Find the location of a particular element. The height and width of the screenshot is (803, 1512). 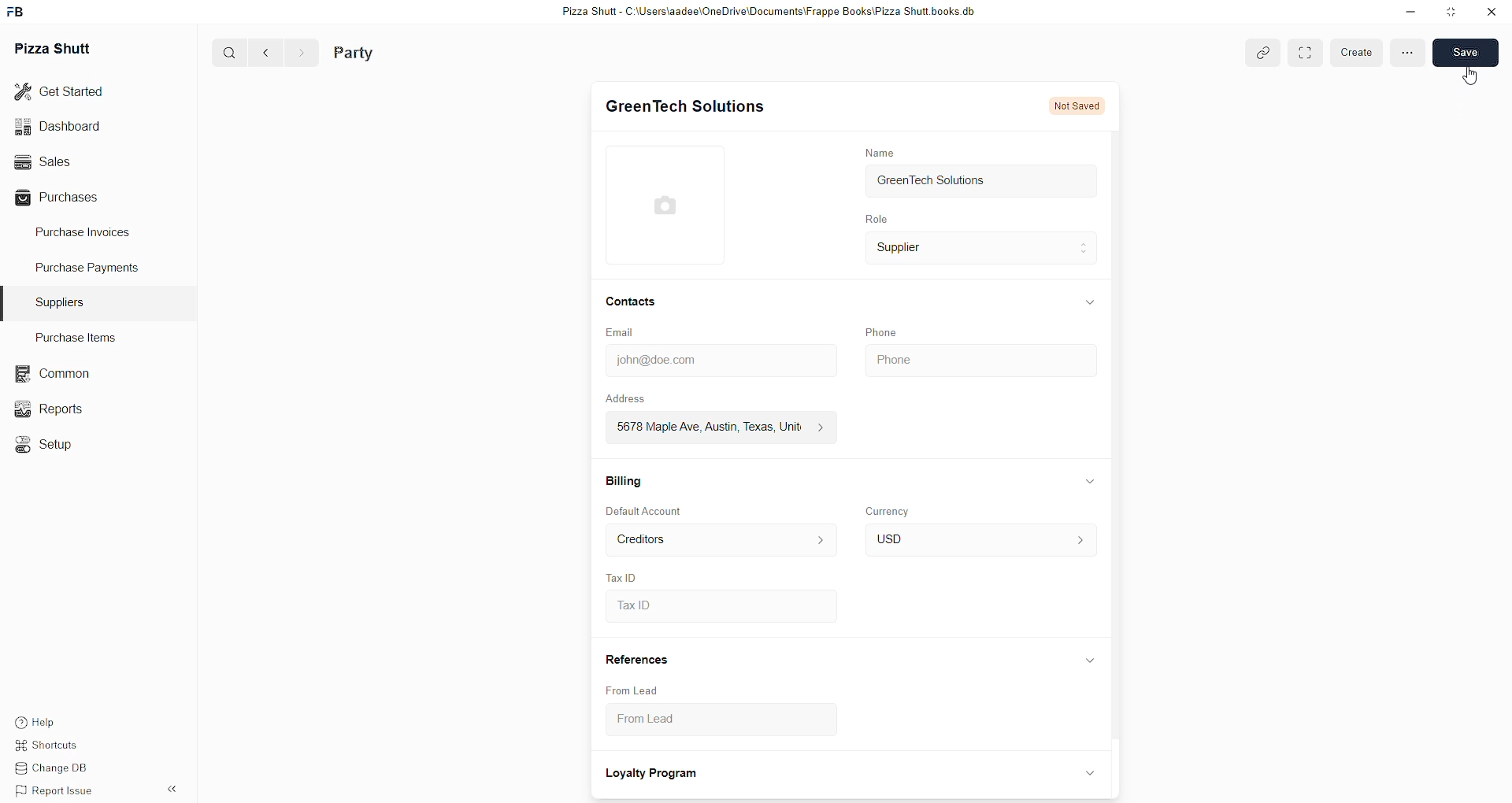

Suppliers is located at coordinates (63, 301).